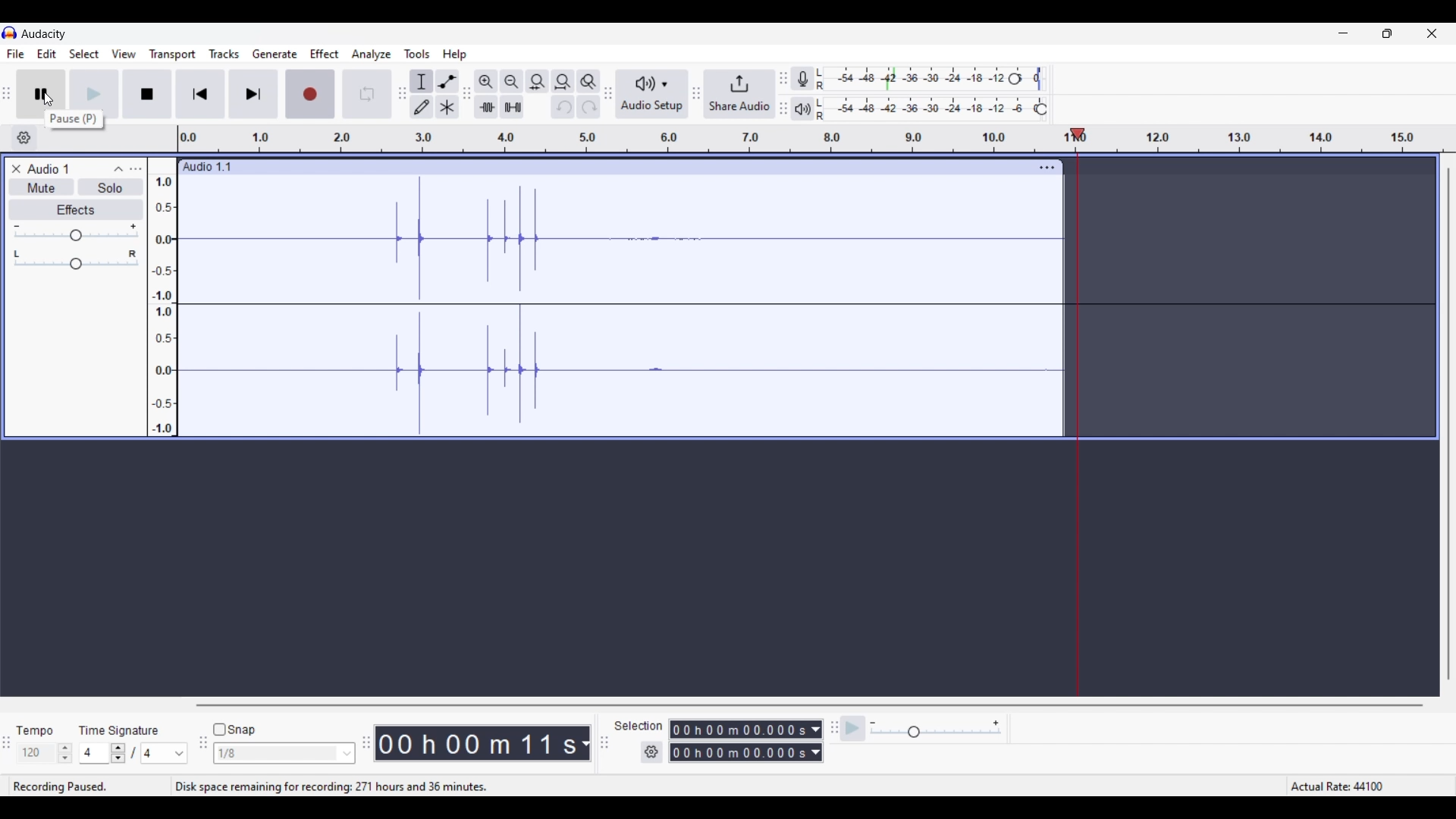  What do you see at coordinates (40, 187) in the screenshot?
I see `Mute` at bounding box center [40, 187].